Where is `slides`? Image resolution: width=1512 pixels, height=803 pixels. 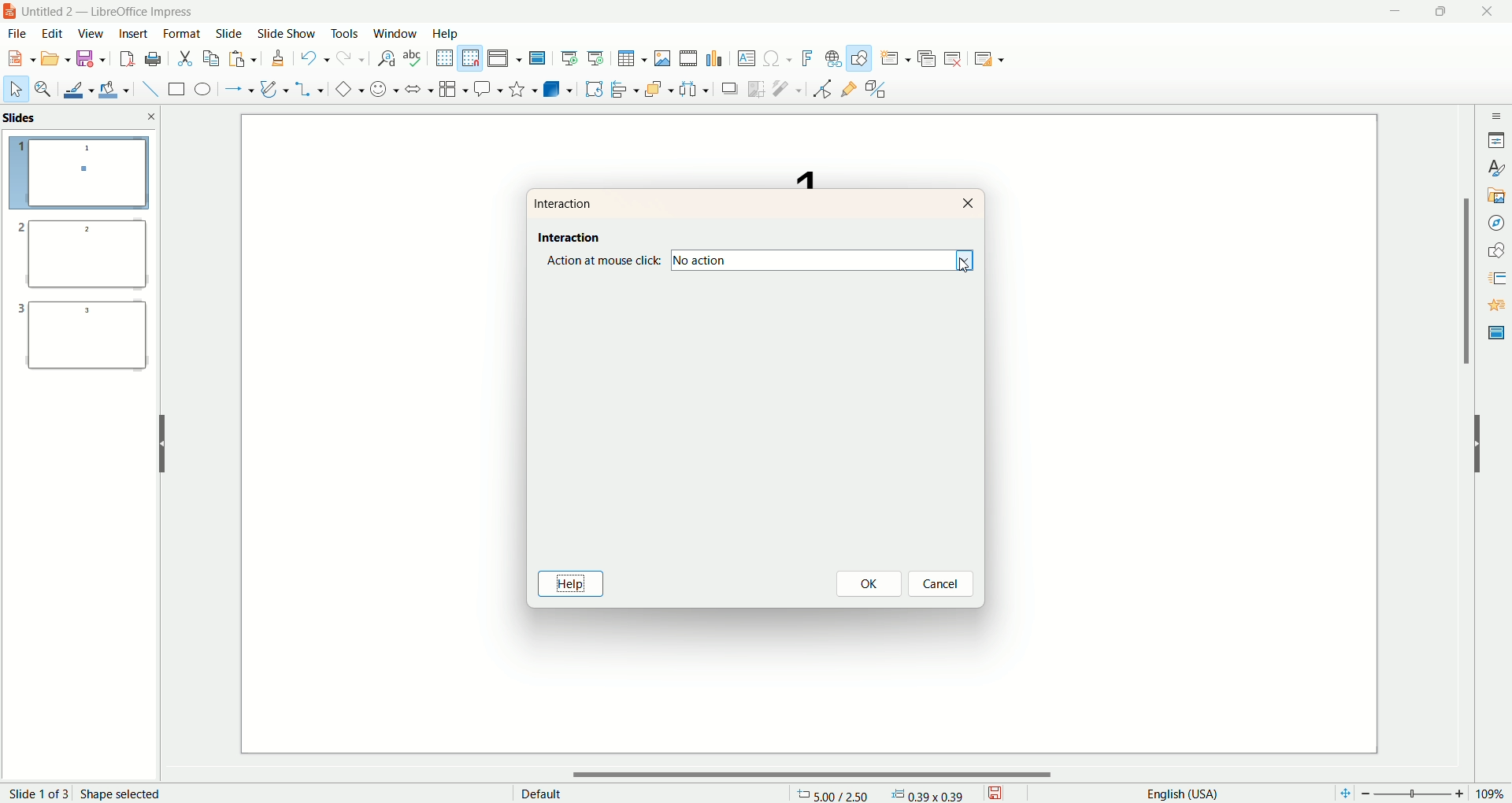
slides is located at coordinates (24, 118).